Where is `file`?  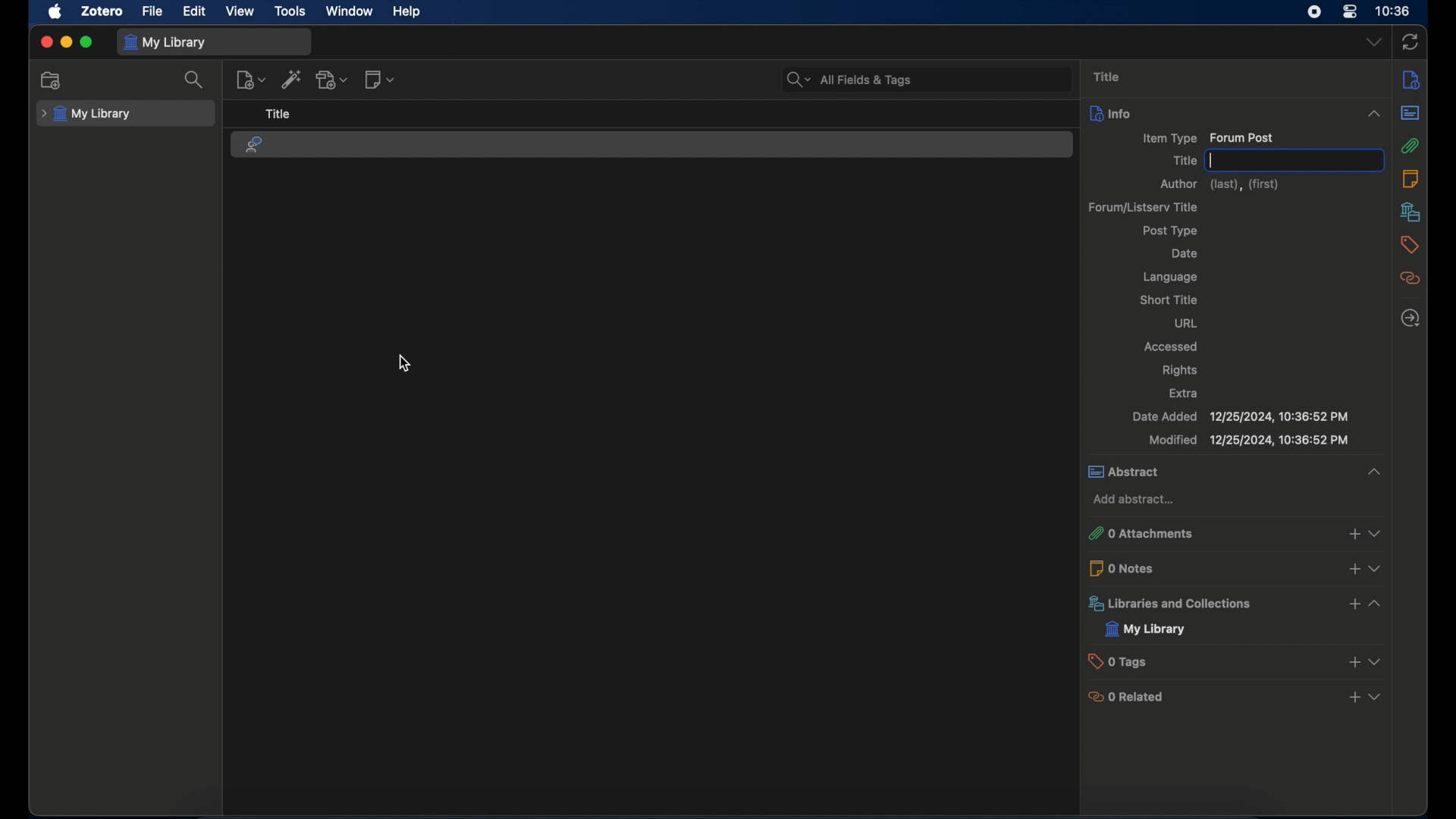 file is located at coordinates (153, 11).